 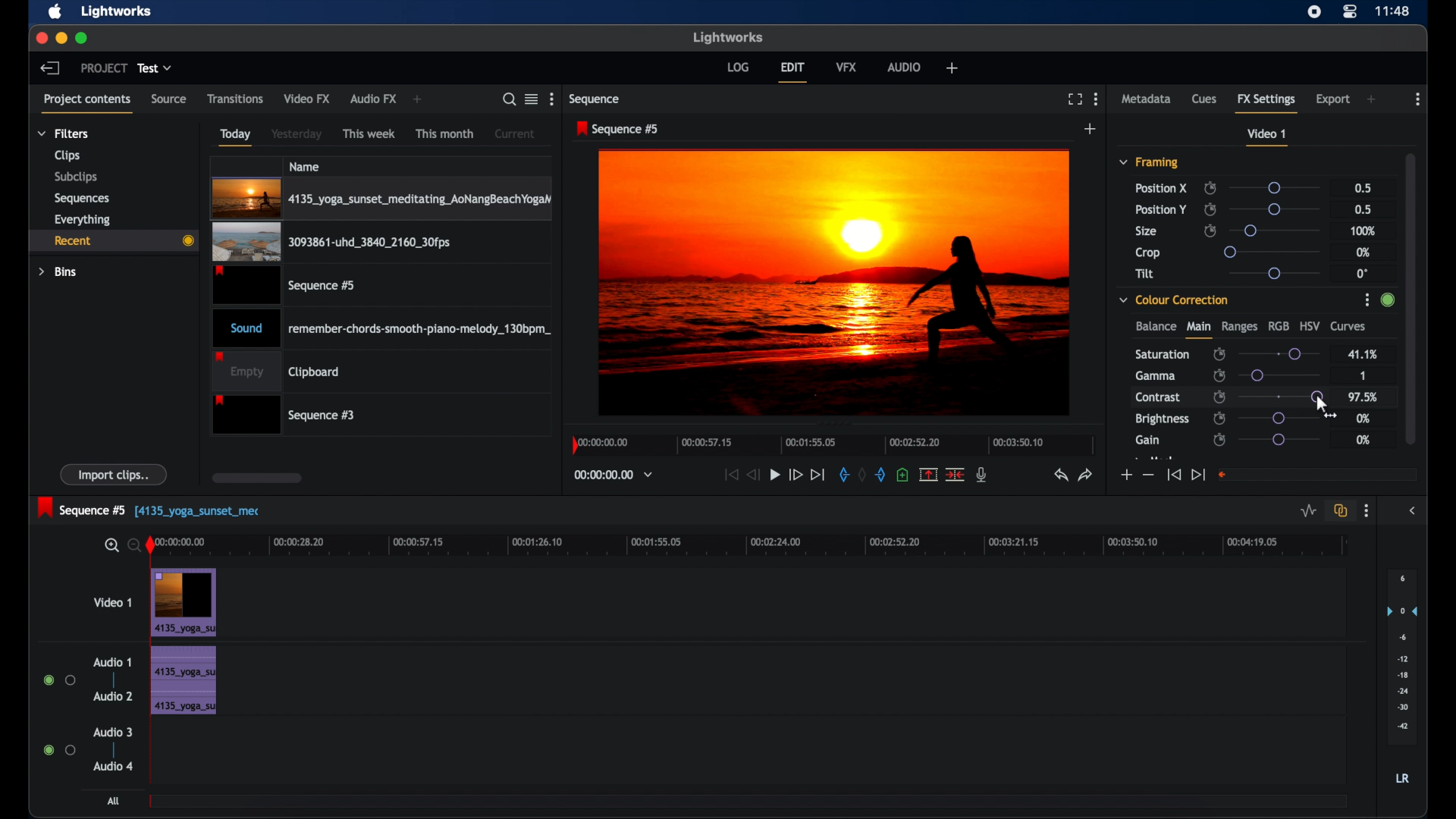 I want to click on yesterday, so click(x=297, y=134).